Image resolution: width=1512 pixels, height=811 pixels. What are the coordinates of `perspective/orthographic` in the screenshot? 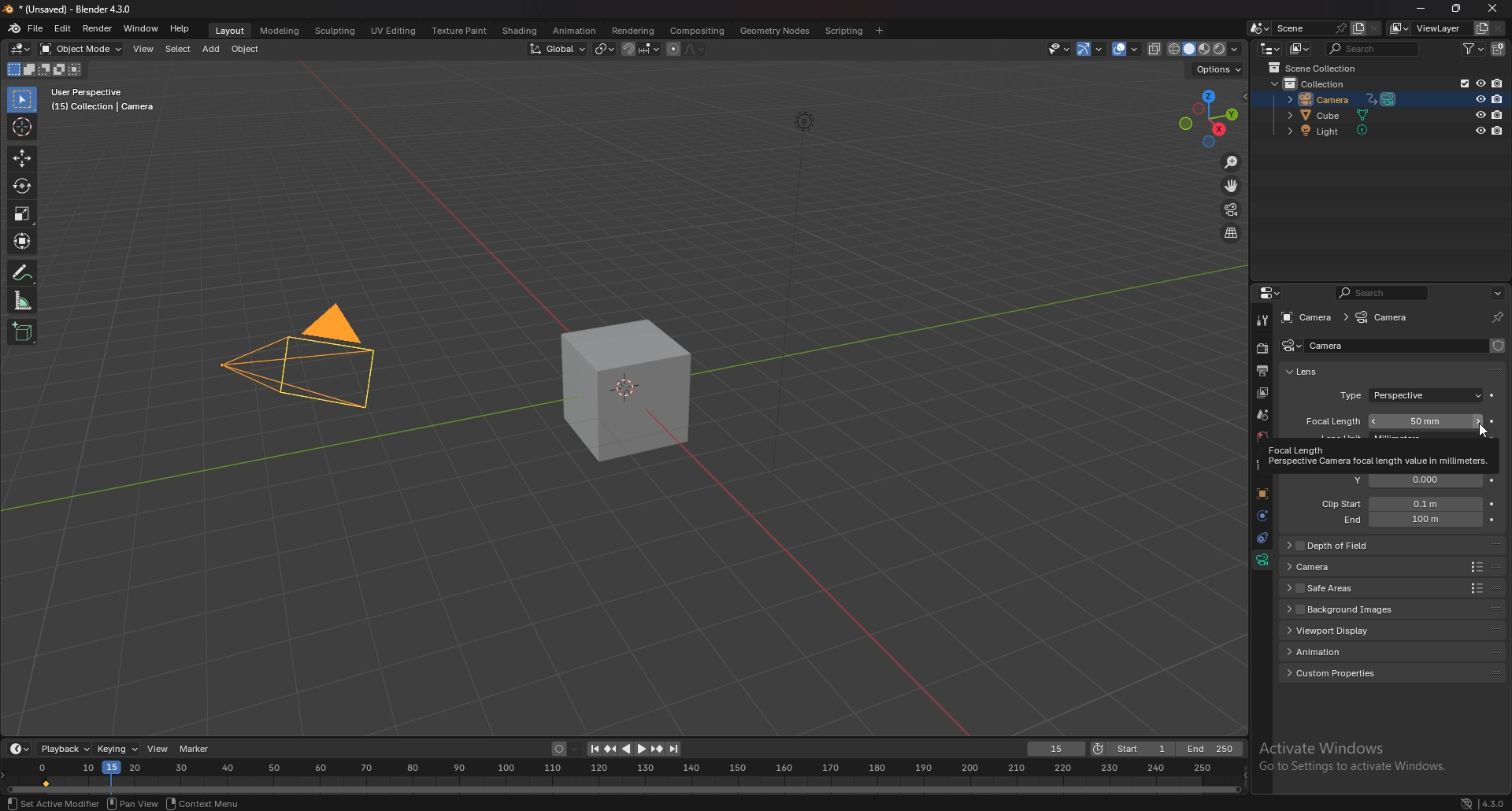 It's located at (1232, 233).